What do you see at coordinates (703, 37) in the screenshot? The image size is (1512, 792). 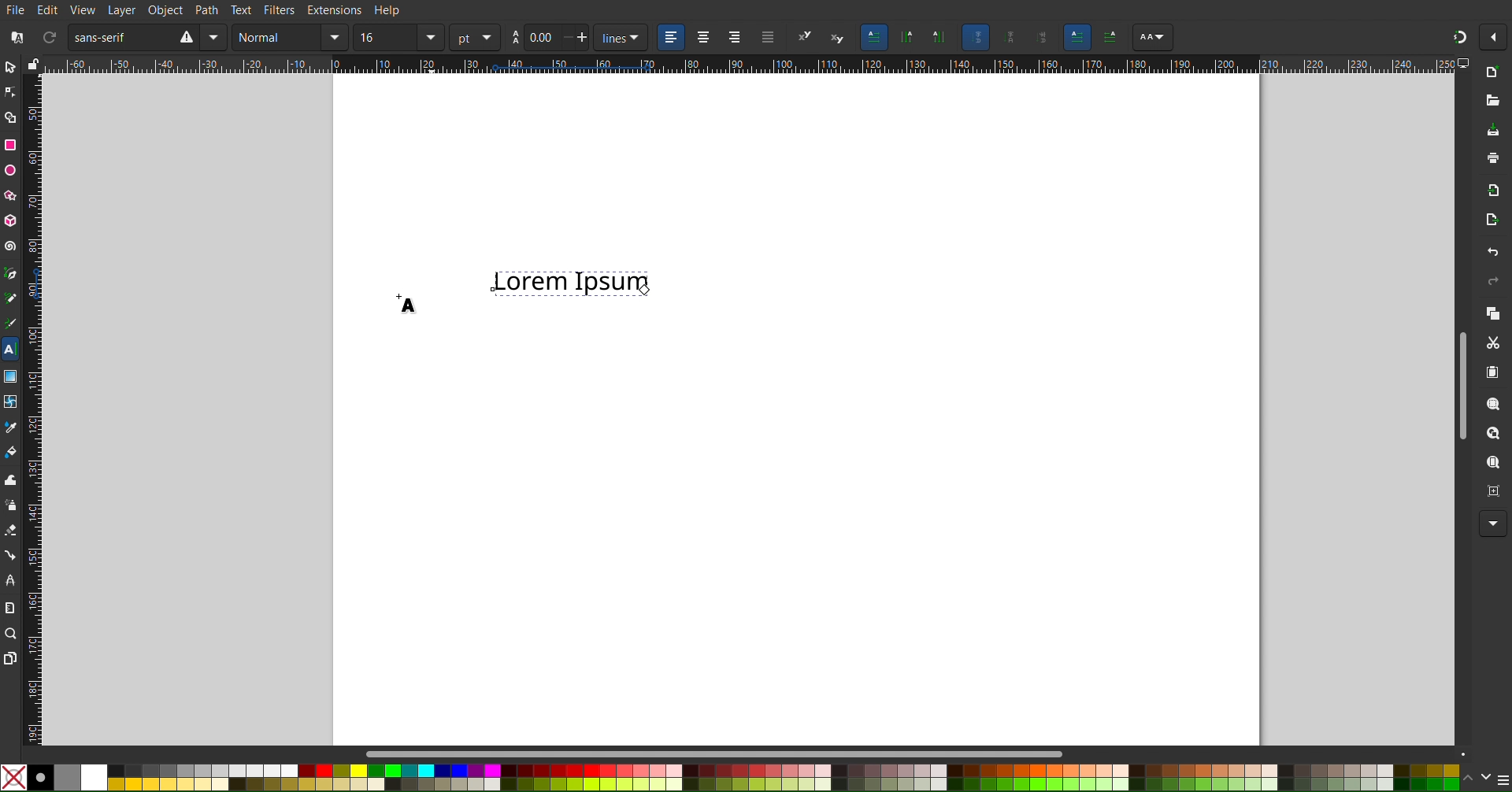 I see `center align` at bounding box center [703, 37].